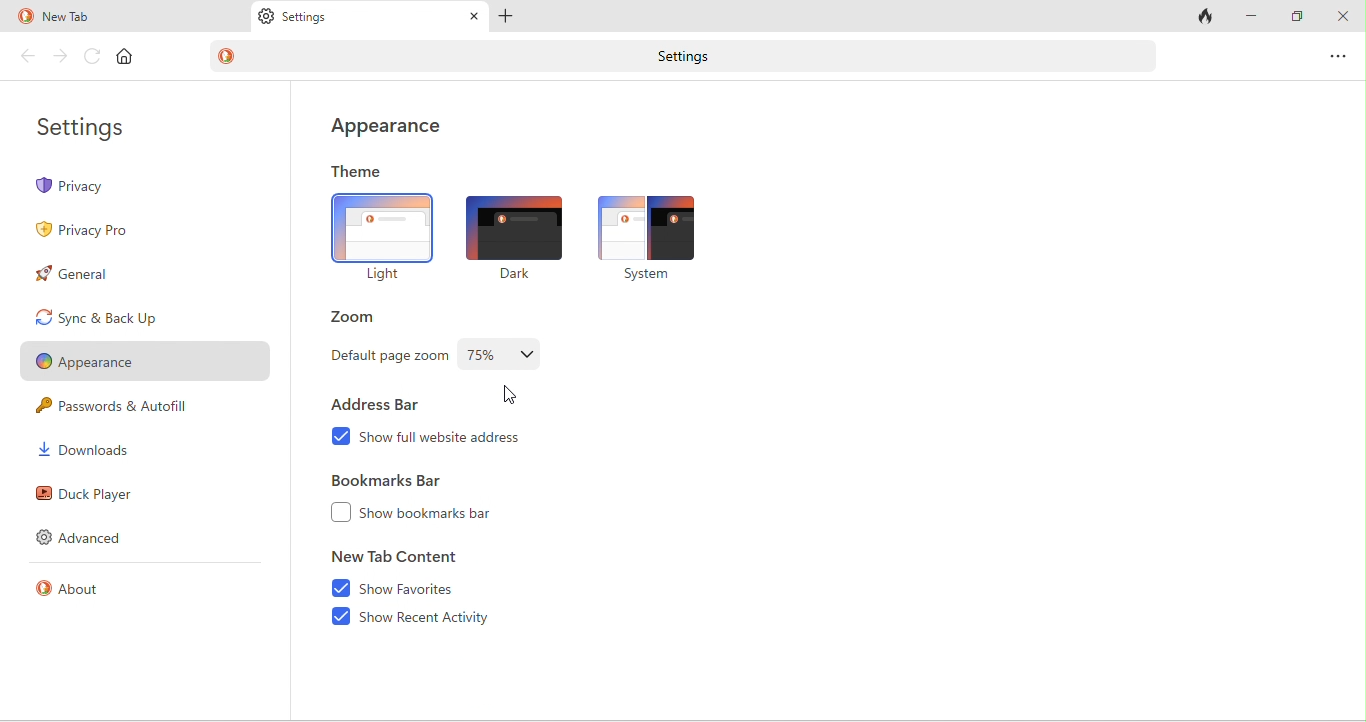  Describe the element at coordinates (386, 357) in the screenshot. I see `default page zoom` at that location.